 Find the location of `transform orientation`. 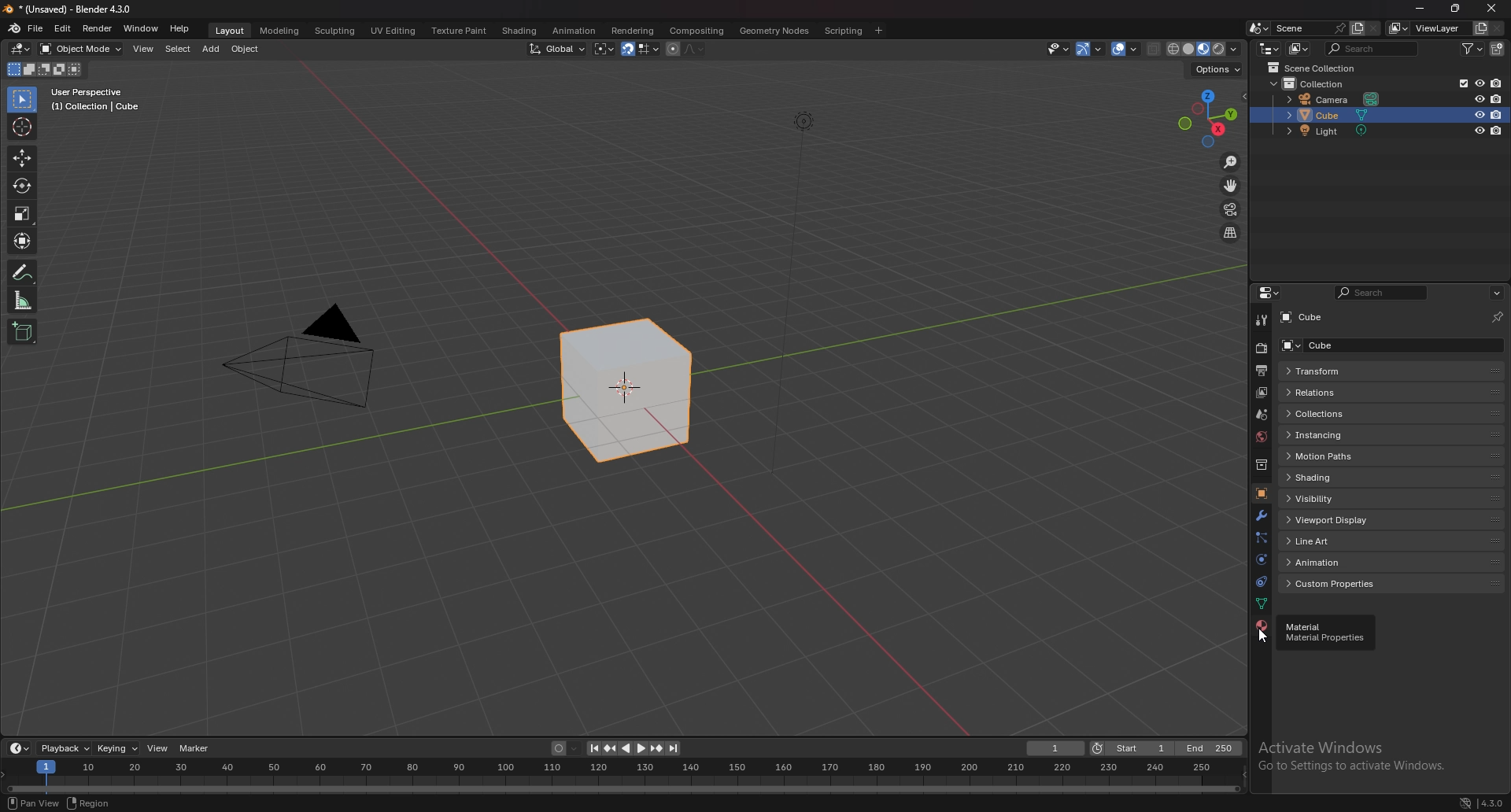

transform orientation is located at coordinates (557, 48).